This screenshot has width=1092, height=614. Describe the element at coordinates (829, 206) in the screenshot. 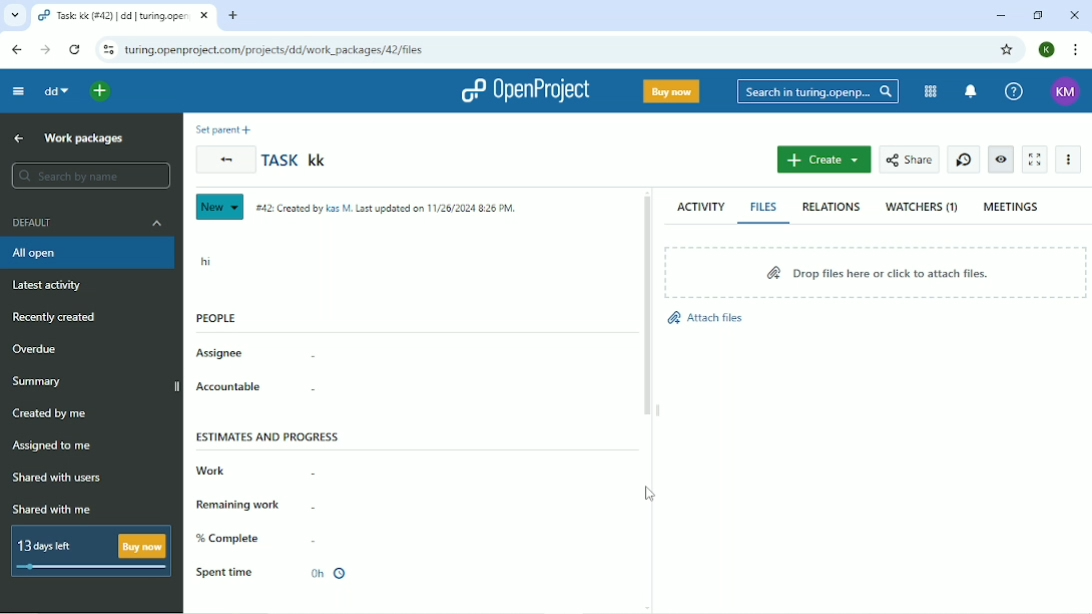

I see `RELATIONS` at that location.